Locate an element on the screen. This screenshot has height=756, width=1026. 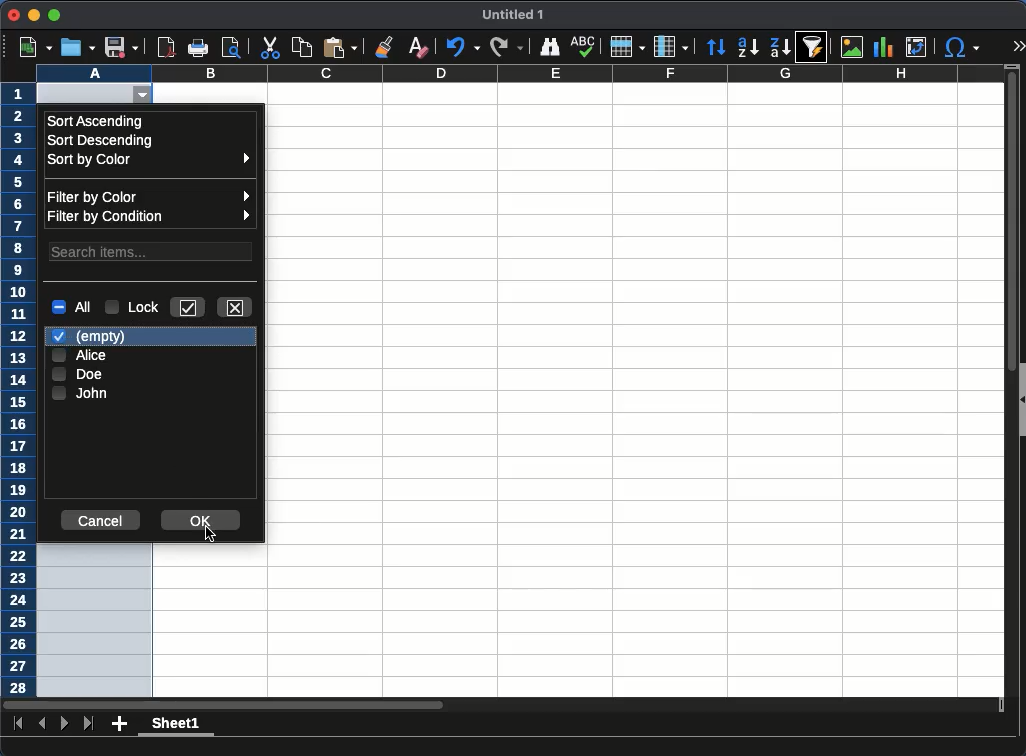
ok is located at coordinates (200, 520).